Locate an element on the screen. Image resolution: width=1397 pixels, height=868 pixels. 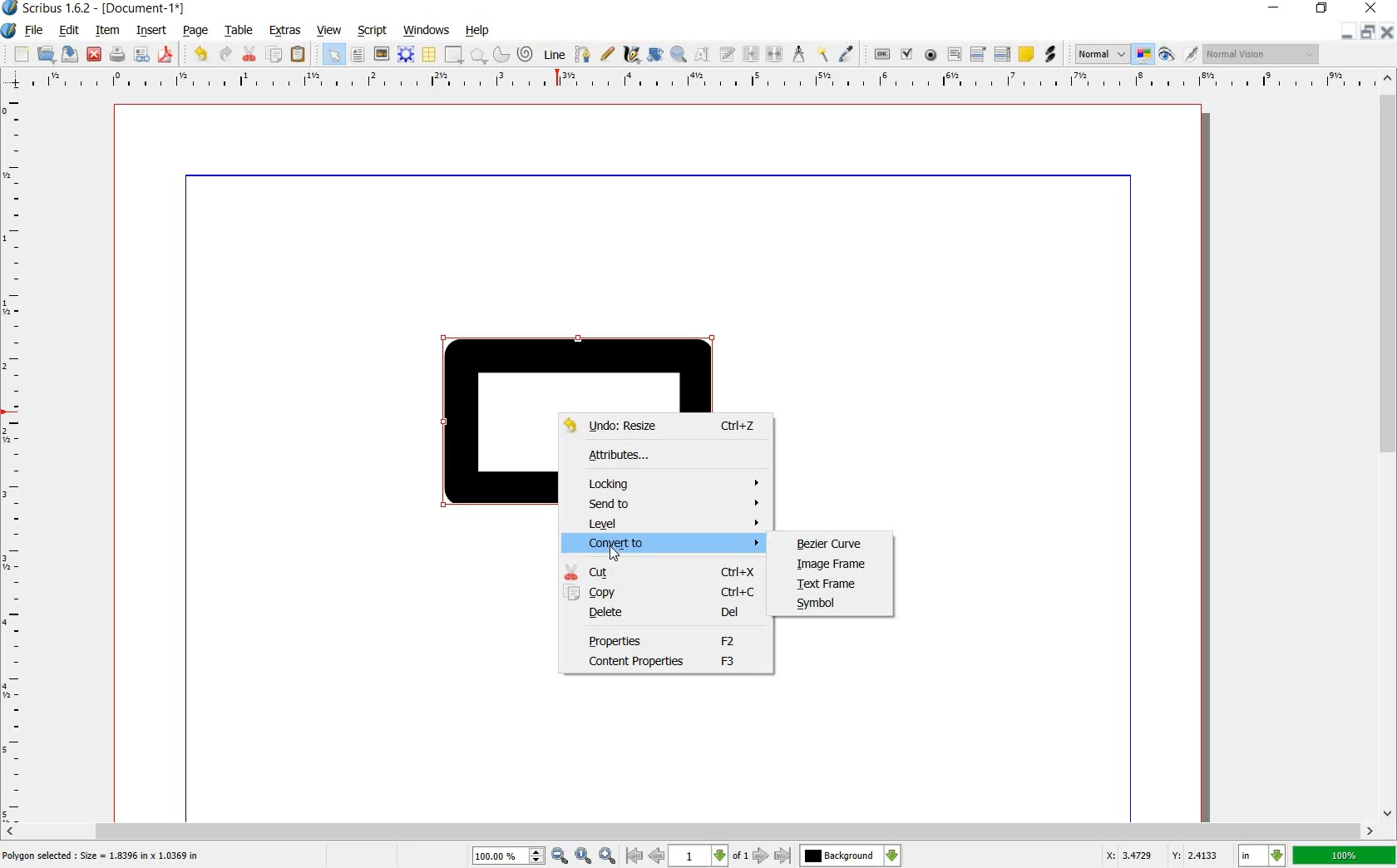
Zoom out is located at coordinates (610, 856).